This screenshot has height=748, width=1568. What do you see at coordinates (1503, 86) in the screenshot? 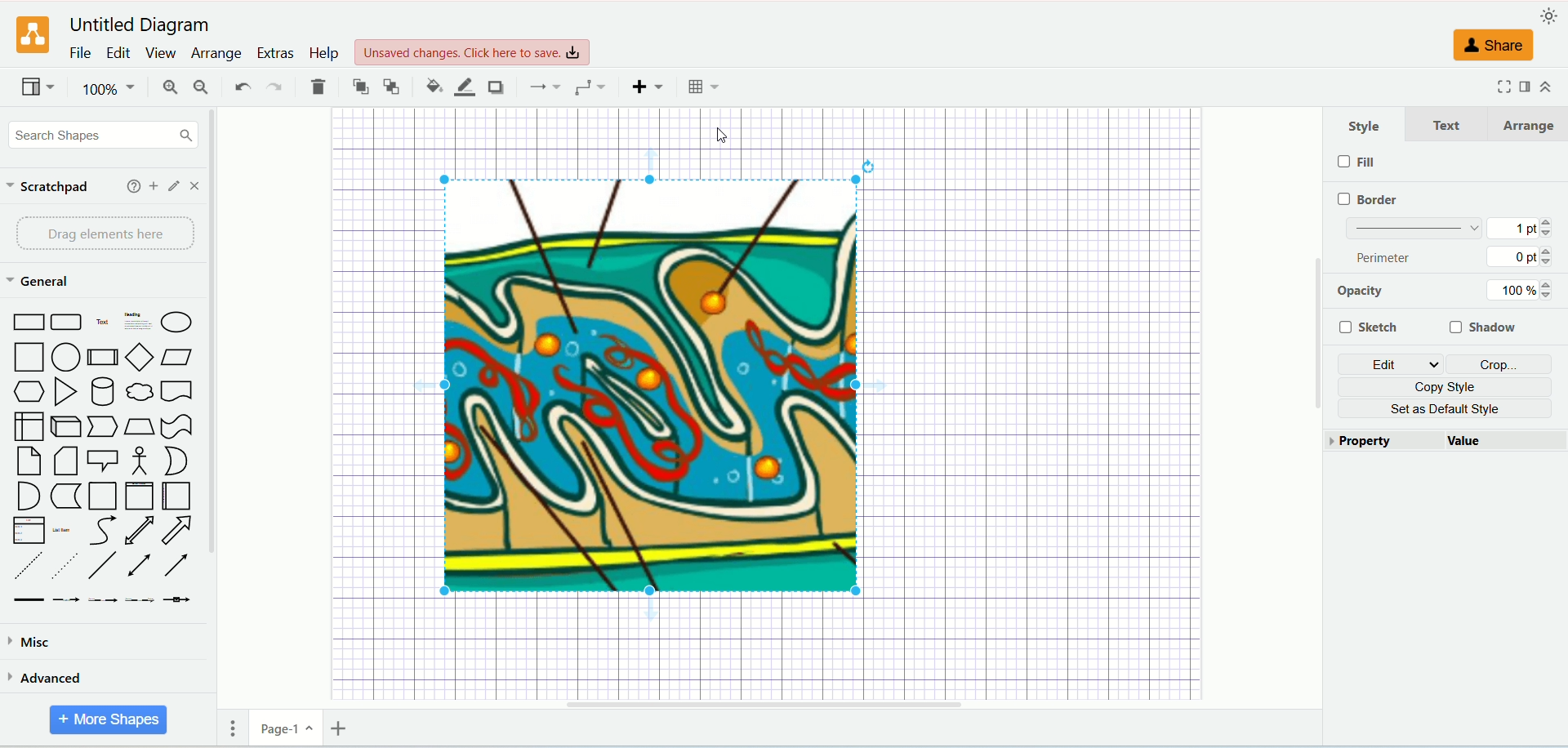
I see `fullscreen` at bounding box center [1503, 86].